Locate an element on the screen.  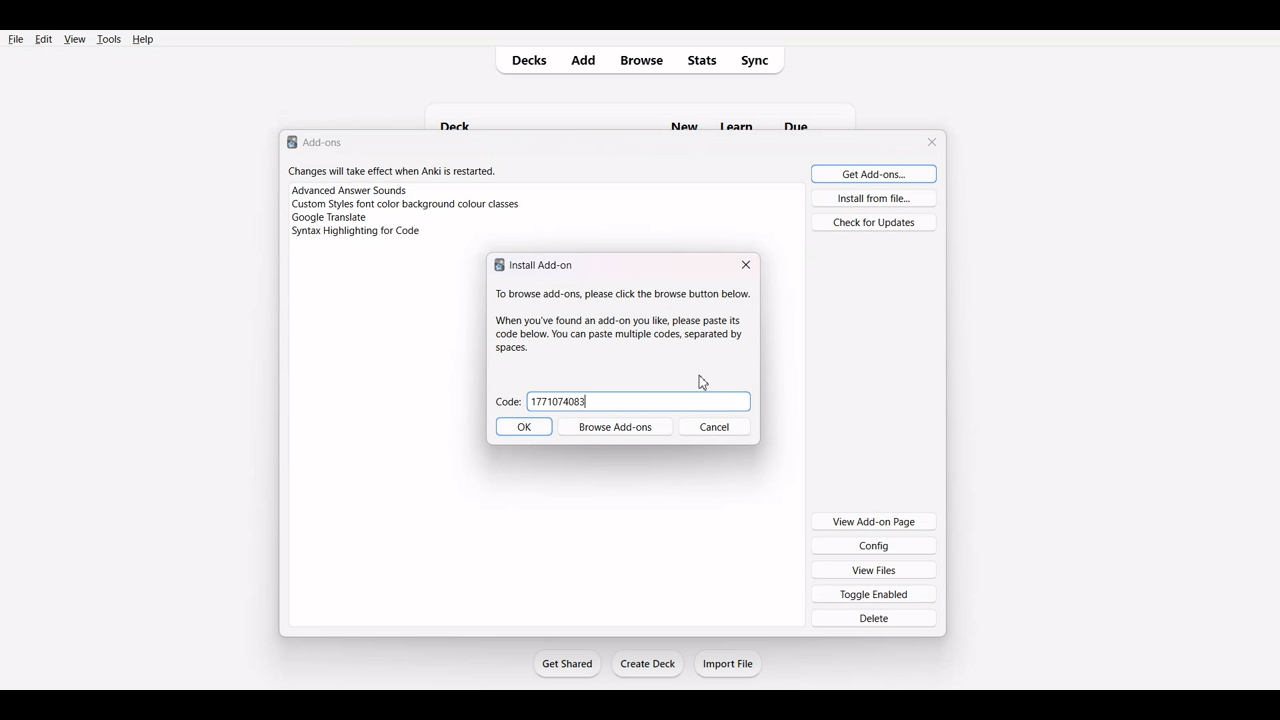
Create Deck is located at coordinates (649, 664).